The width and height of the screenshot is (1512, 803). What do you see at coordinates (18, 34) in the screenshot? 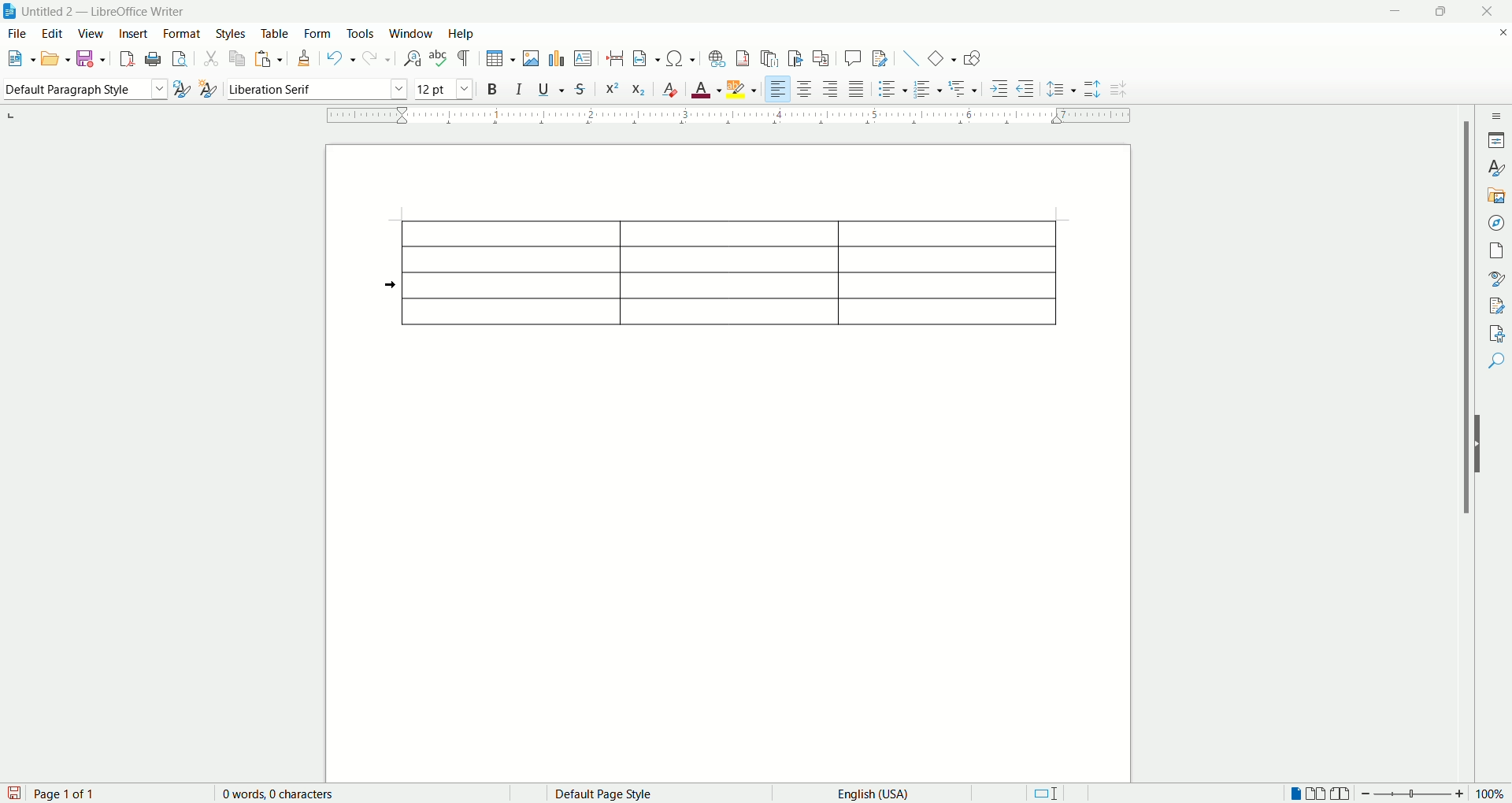
I see `file` at bounding box center [18, 34].